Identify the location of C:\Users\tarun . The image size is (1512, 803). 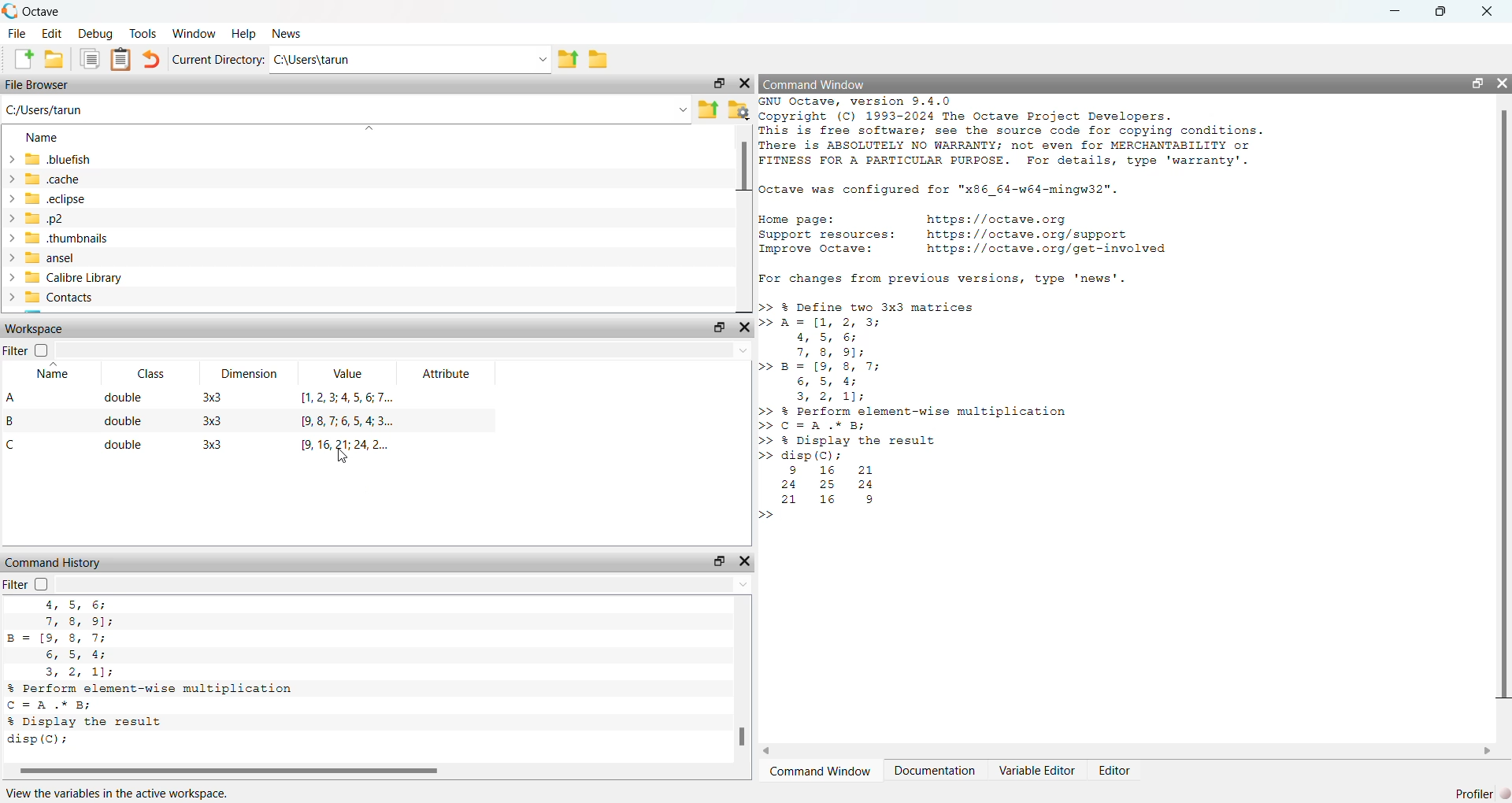
(409, 60).